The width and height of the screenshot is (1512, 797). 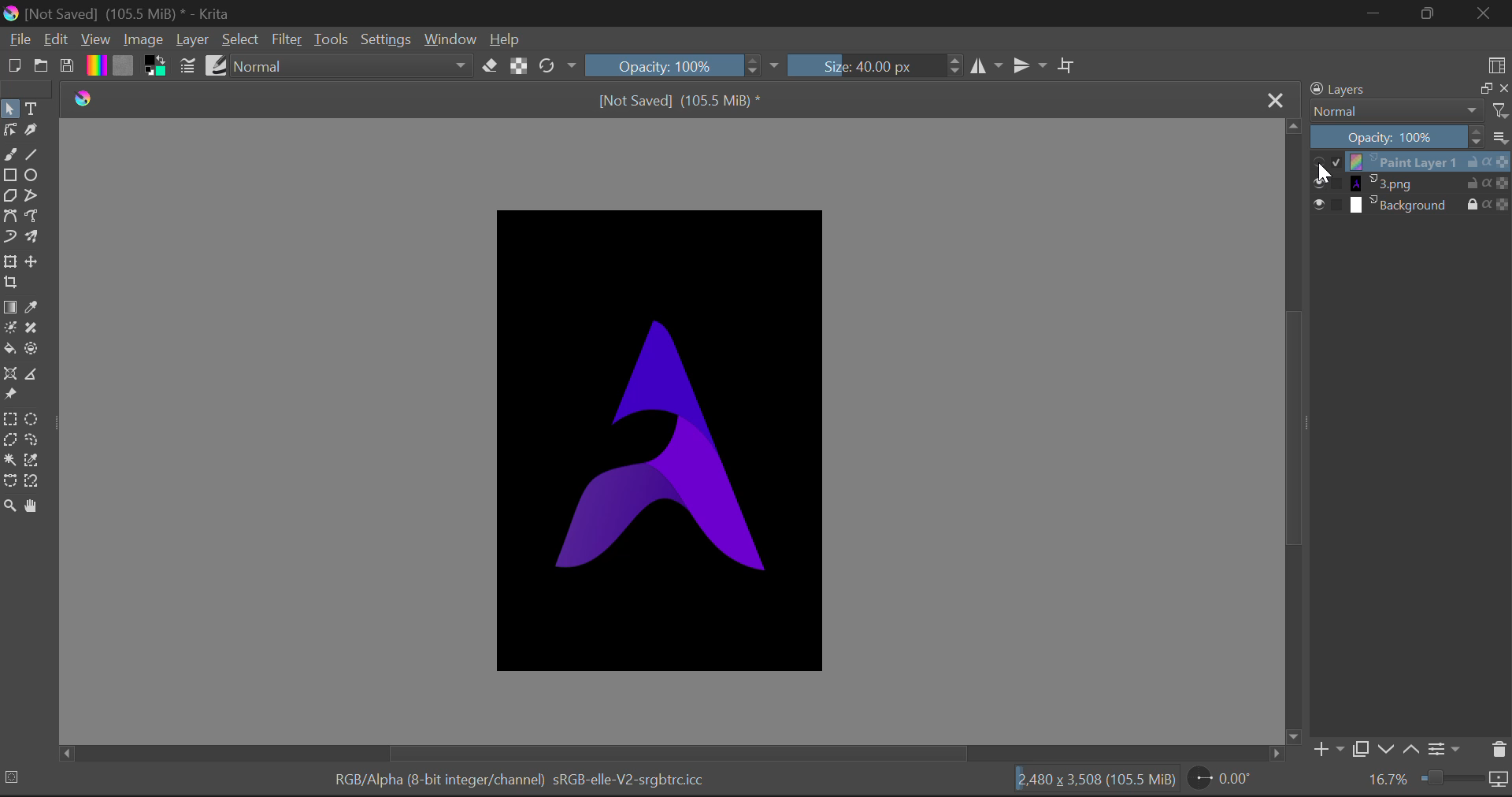 What do you see at coordinates (38, 109) in the screenshot?
I see `Text` at bounding box center [38, 109].